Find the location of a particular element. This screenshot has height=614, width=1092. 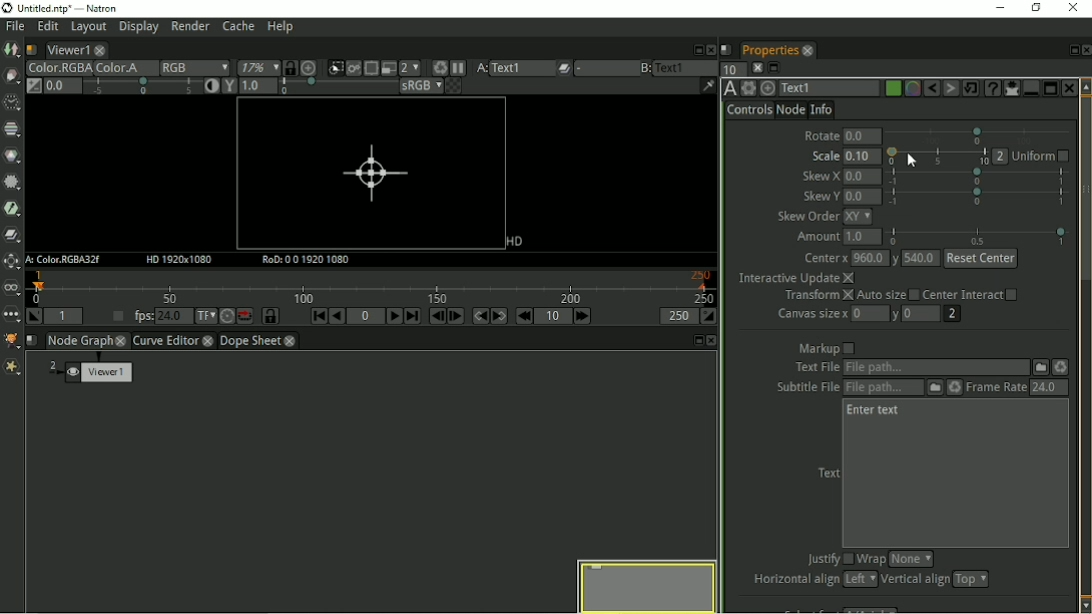

Script name is located at coordinates (726, 50).